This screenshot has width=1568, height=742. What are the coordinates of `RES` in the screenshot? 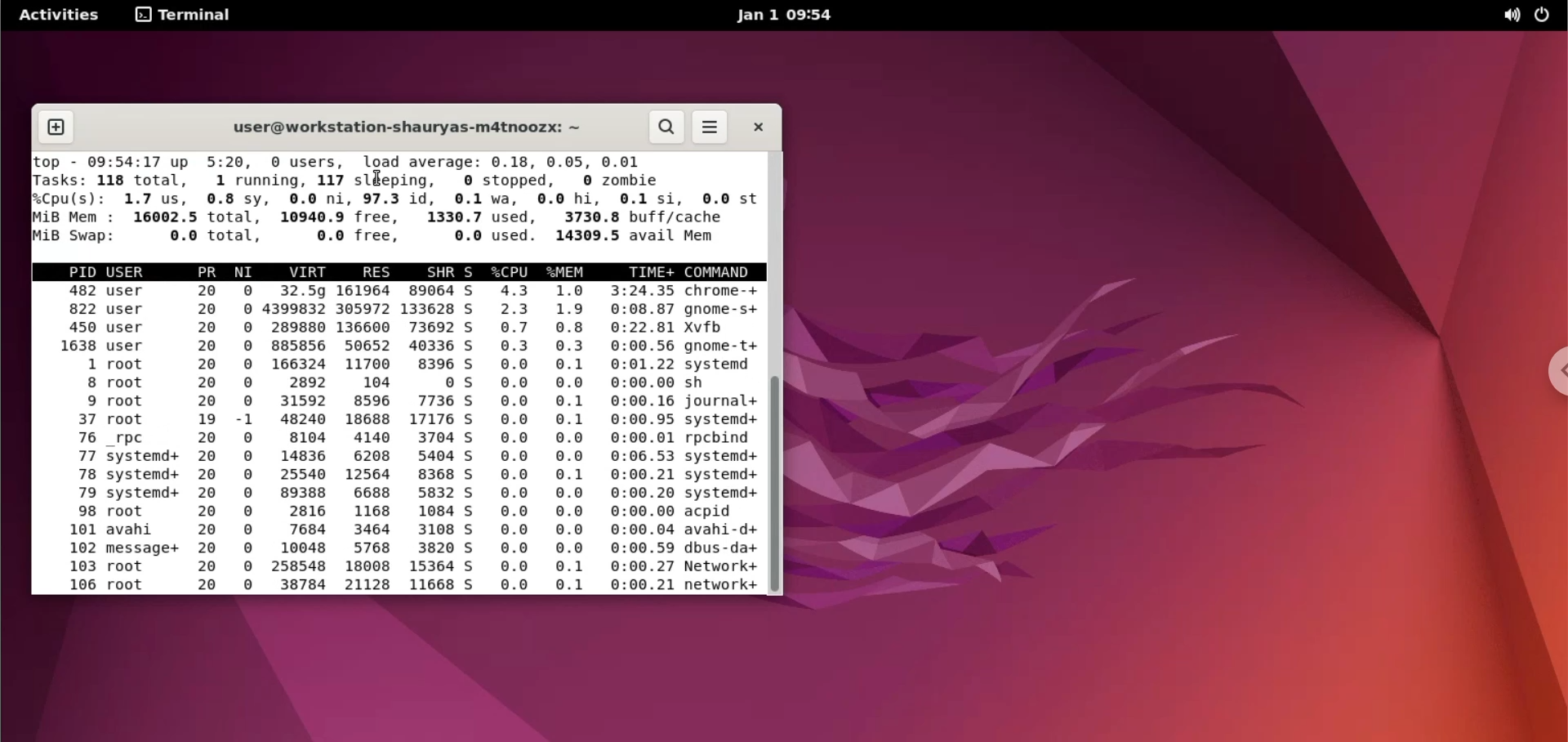 It's located at (372, 270).